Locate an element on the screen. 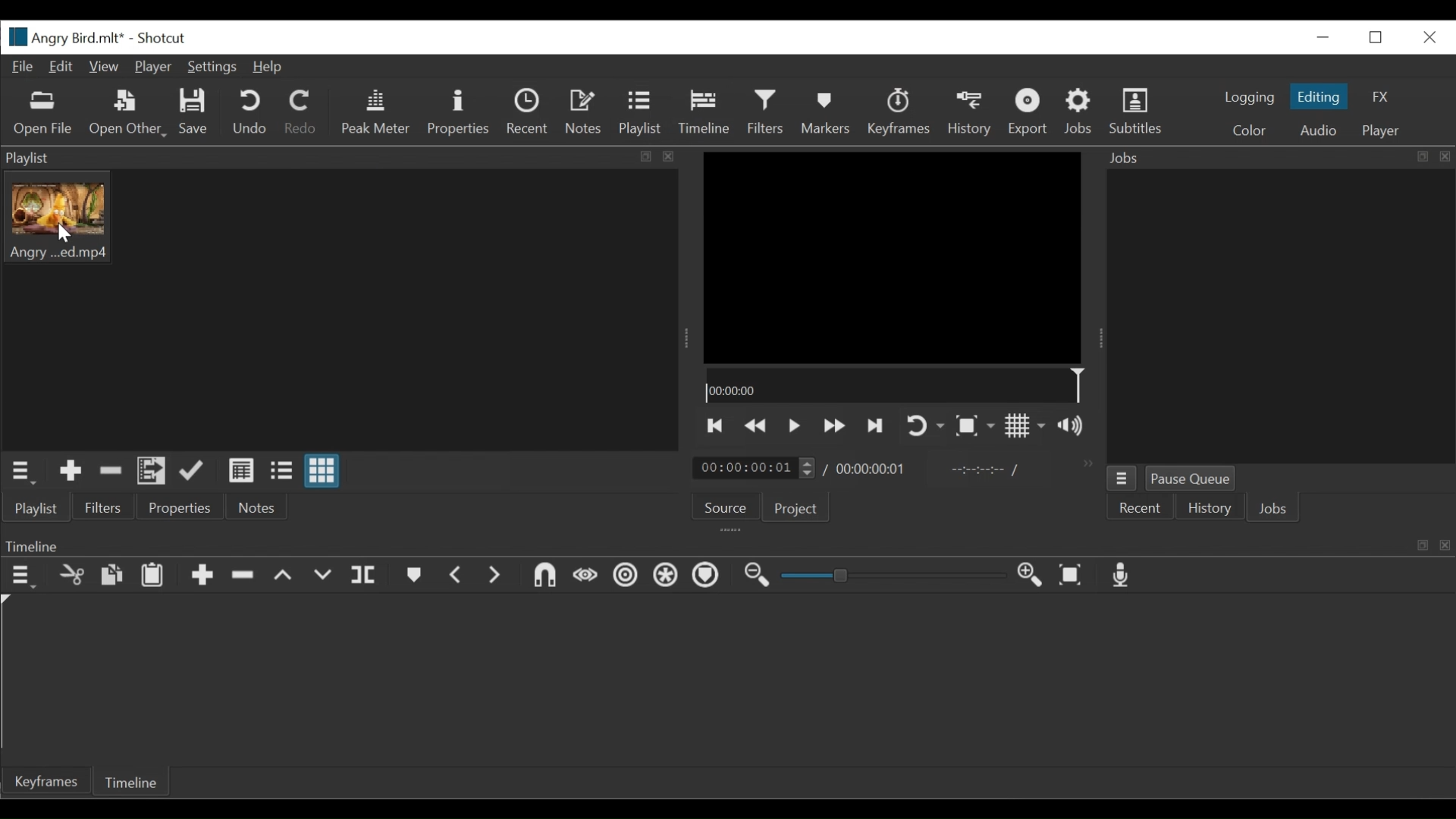 The image size is (1456, 819). cursor is located at coordinates (67, 231).